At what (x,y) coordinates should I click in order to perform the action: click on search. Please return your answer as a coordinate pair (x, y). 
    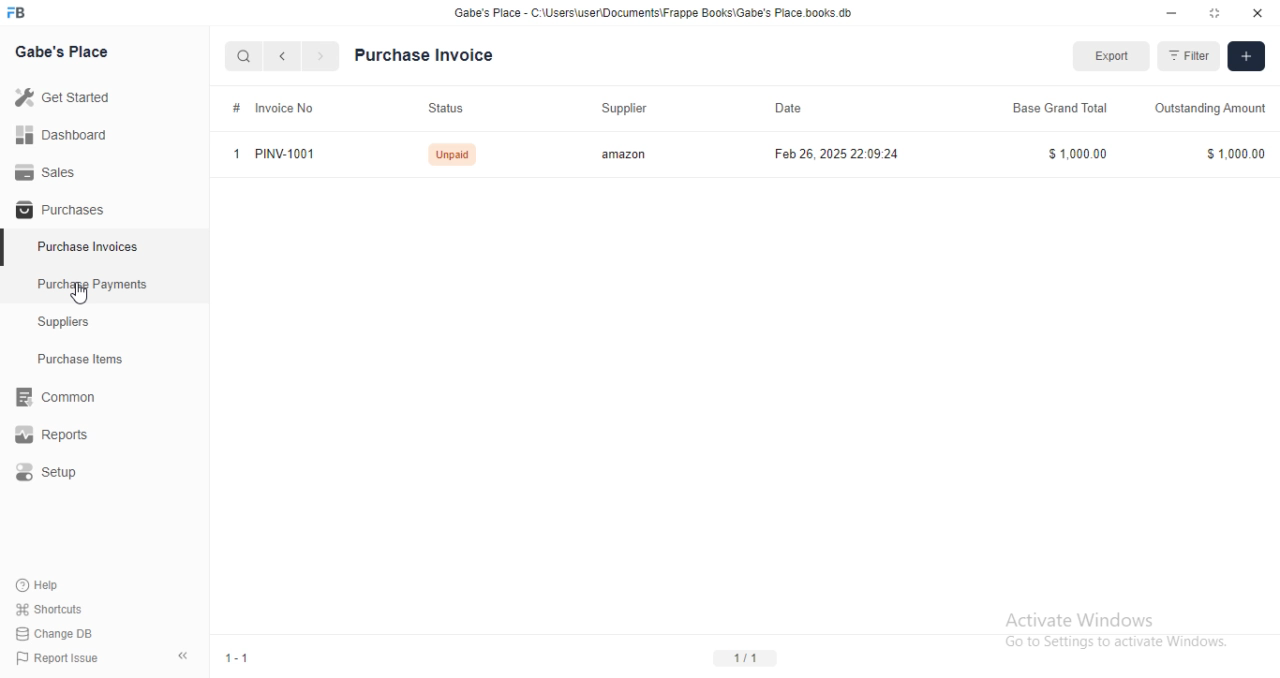
    Looking at the image, I should click on (245, 57).